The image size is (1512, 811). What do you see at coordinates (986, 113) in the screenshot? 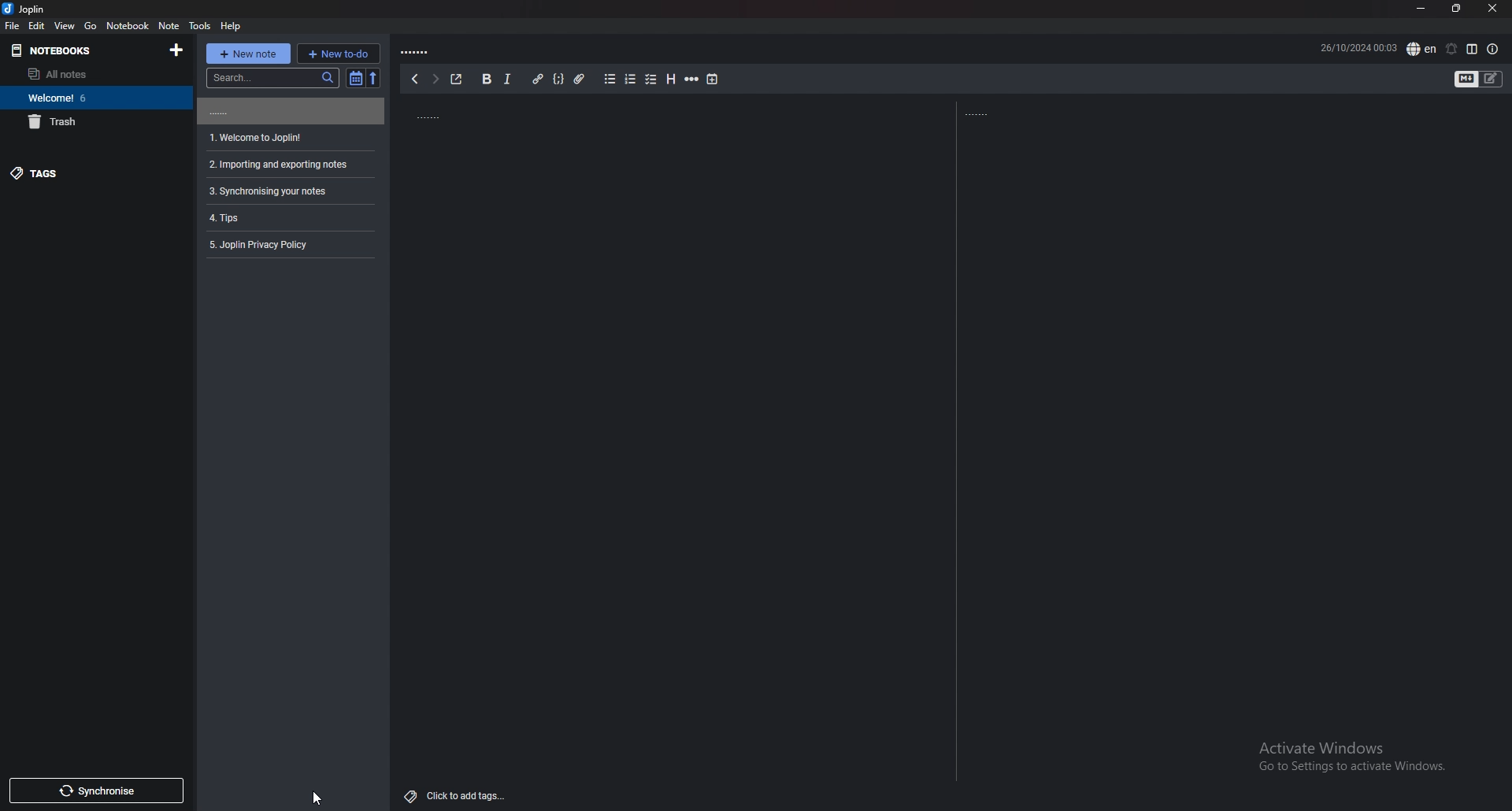
I see `.......` at bounding box center [986, 113].